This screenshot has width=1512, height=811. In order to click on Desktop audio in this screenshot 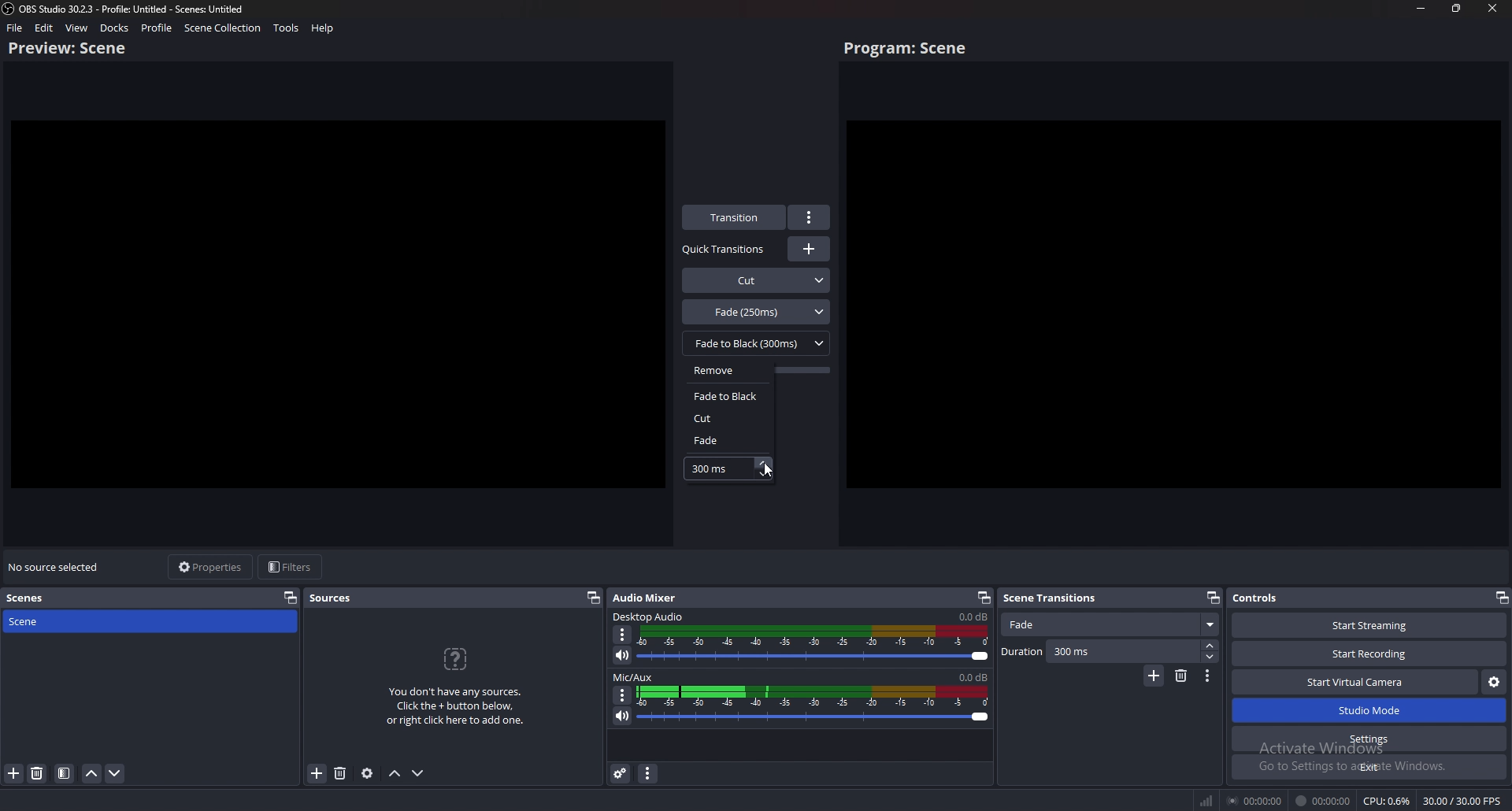, I will do `click(650, 616)`.